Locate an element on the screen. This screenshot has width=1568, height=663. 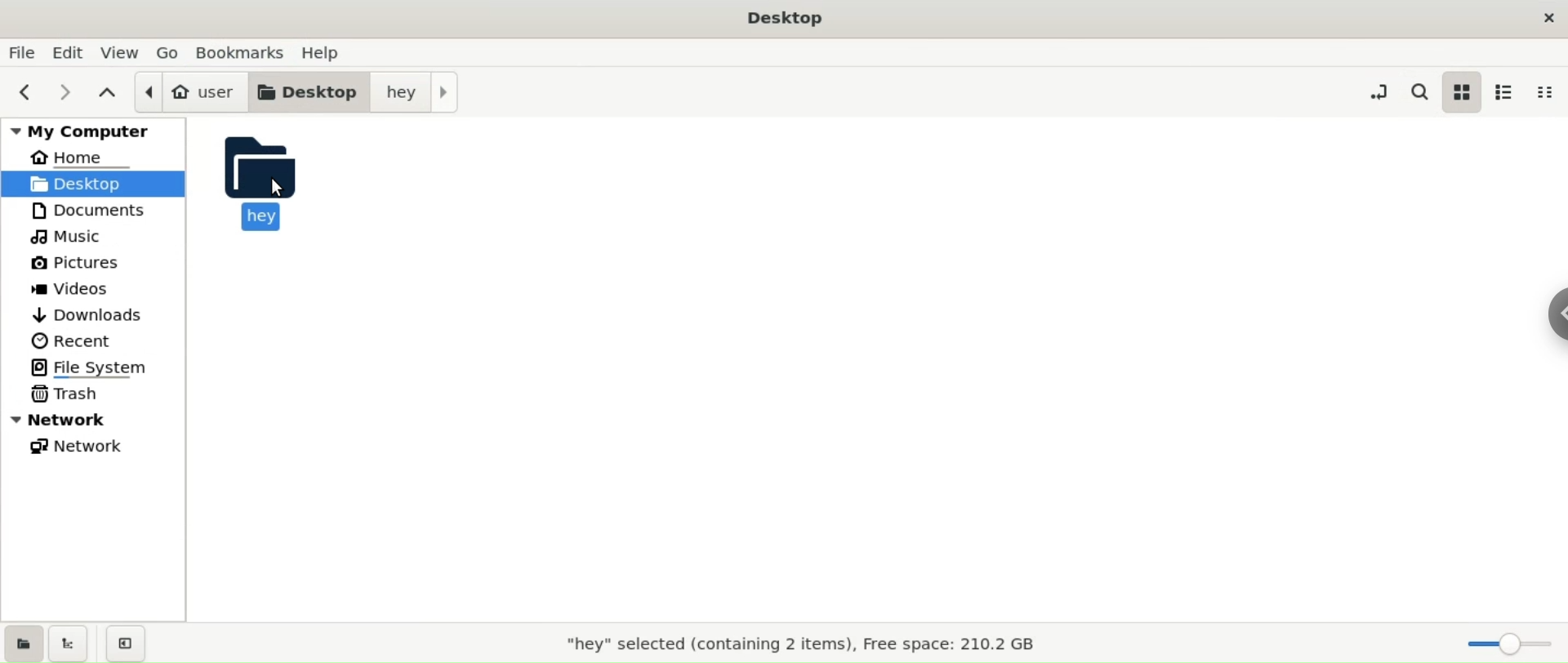
recent is located at coordinates (71, 340).